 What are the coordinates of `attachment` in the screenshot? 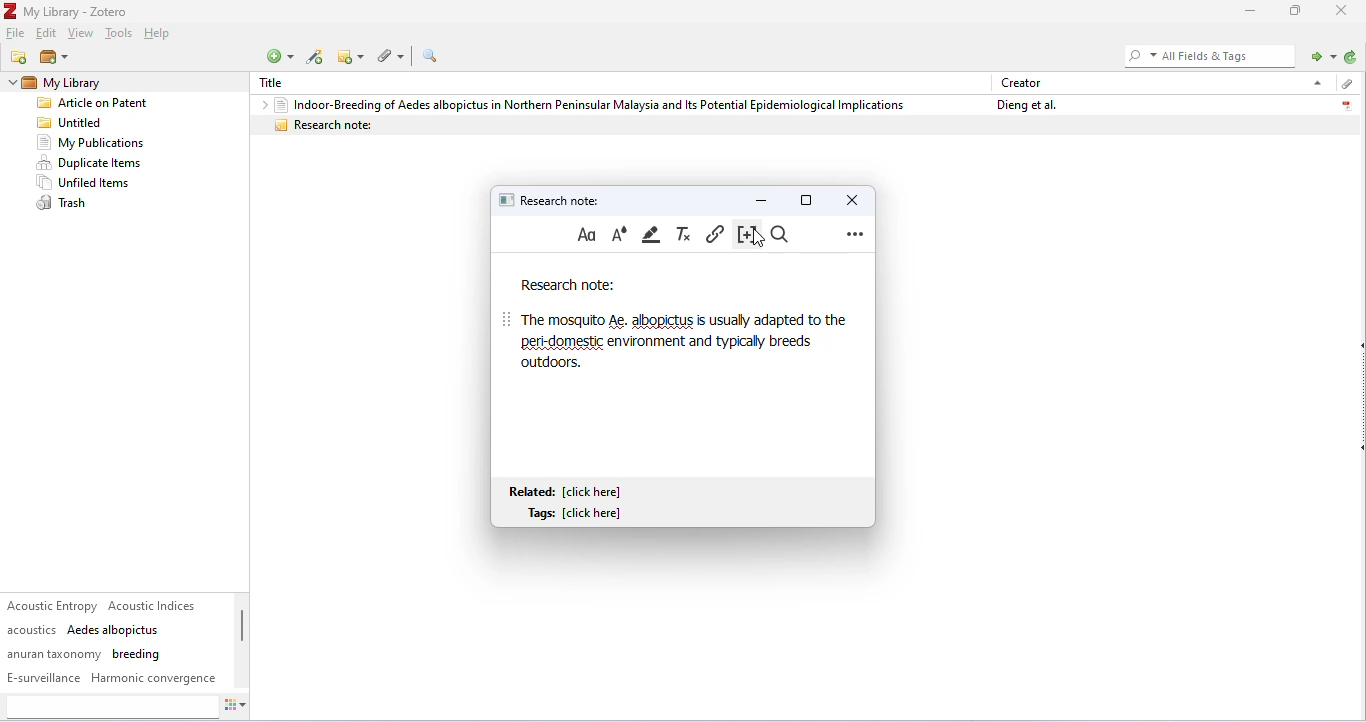 It's located at (394, 55).